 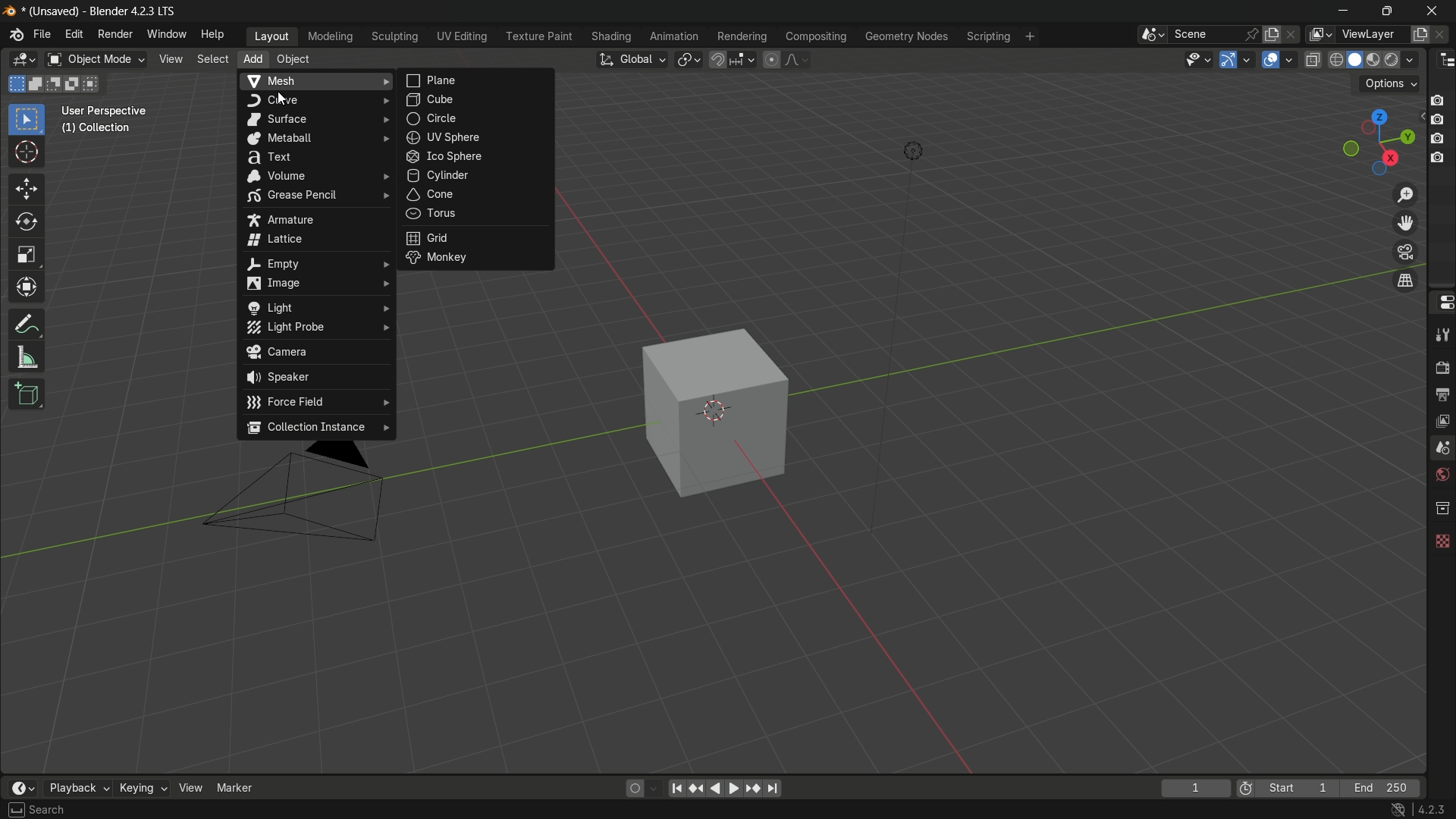 What do you see at coordinates (679, 789) in the screenshot?
I see `move to the beginning` at bounding box center [679, 789].